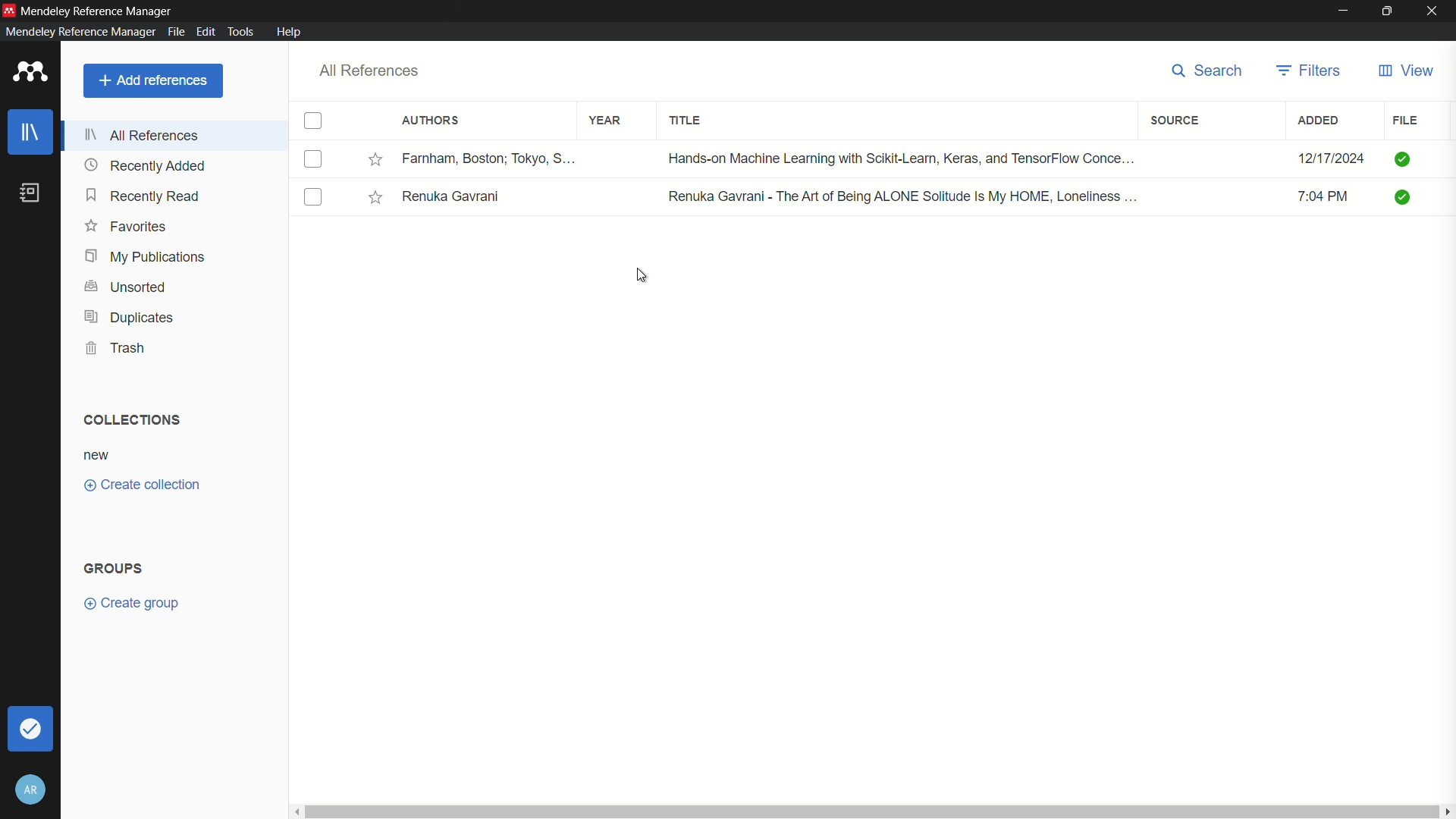 Image resolution: width=1456 pixels, height=819 pixels. What do you see at coordinates (78, 31) in the screenshot?
I see `mendeley reference manager` at bounding box center [78, 31].